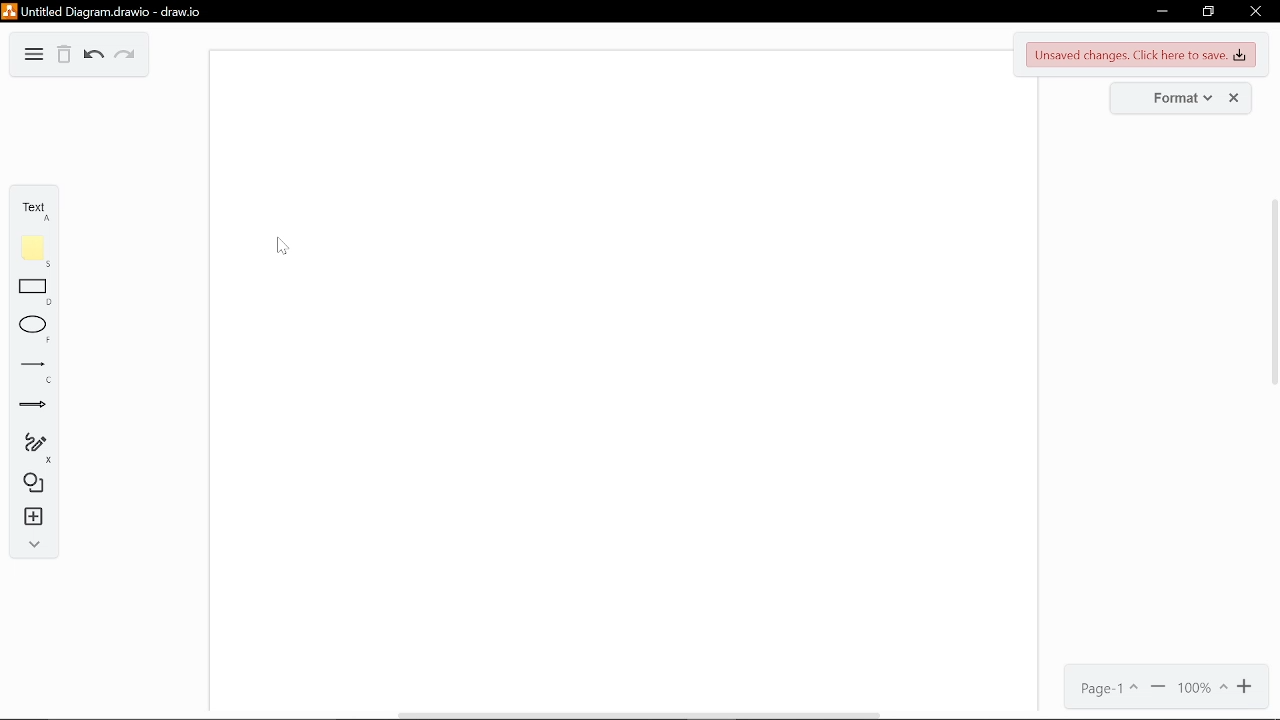 The height and width of the screenshot is (720, 1280). Describe the element at coordinates (34, 410) in the screenshot. I see `arrows` at that location.